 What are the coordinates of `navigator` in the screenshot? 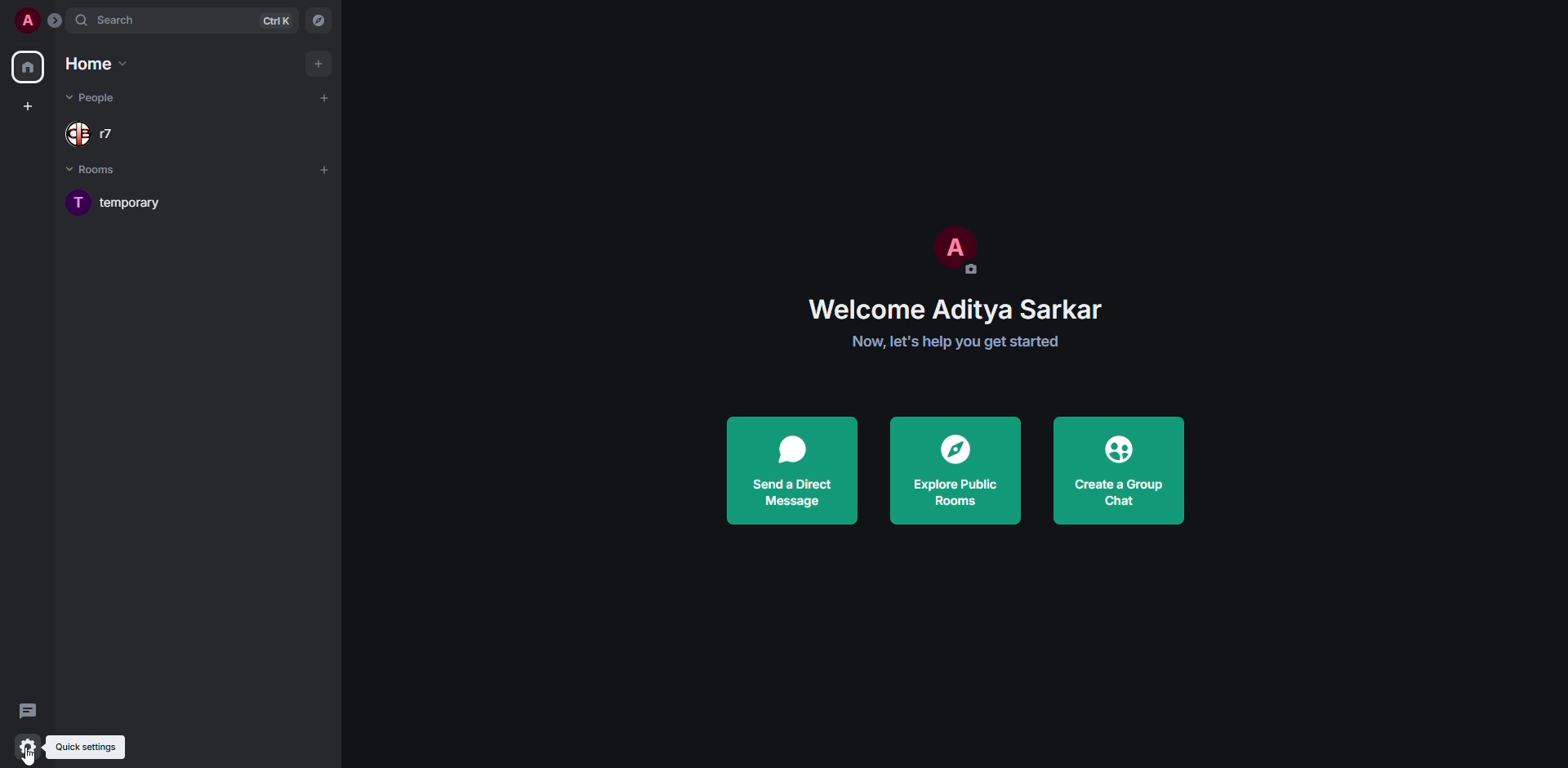 It's located at (316, 21).